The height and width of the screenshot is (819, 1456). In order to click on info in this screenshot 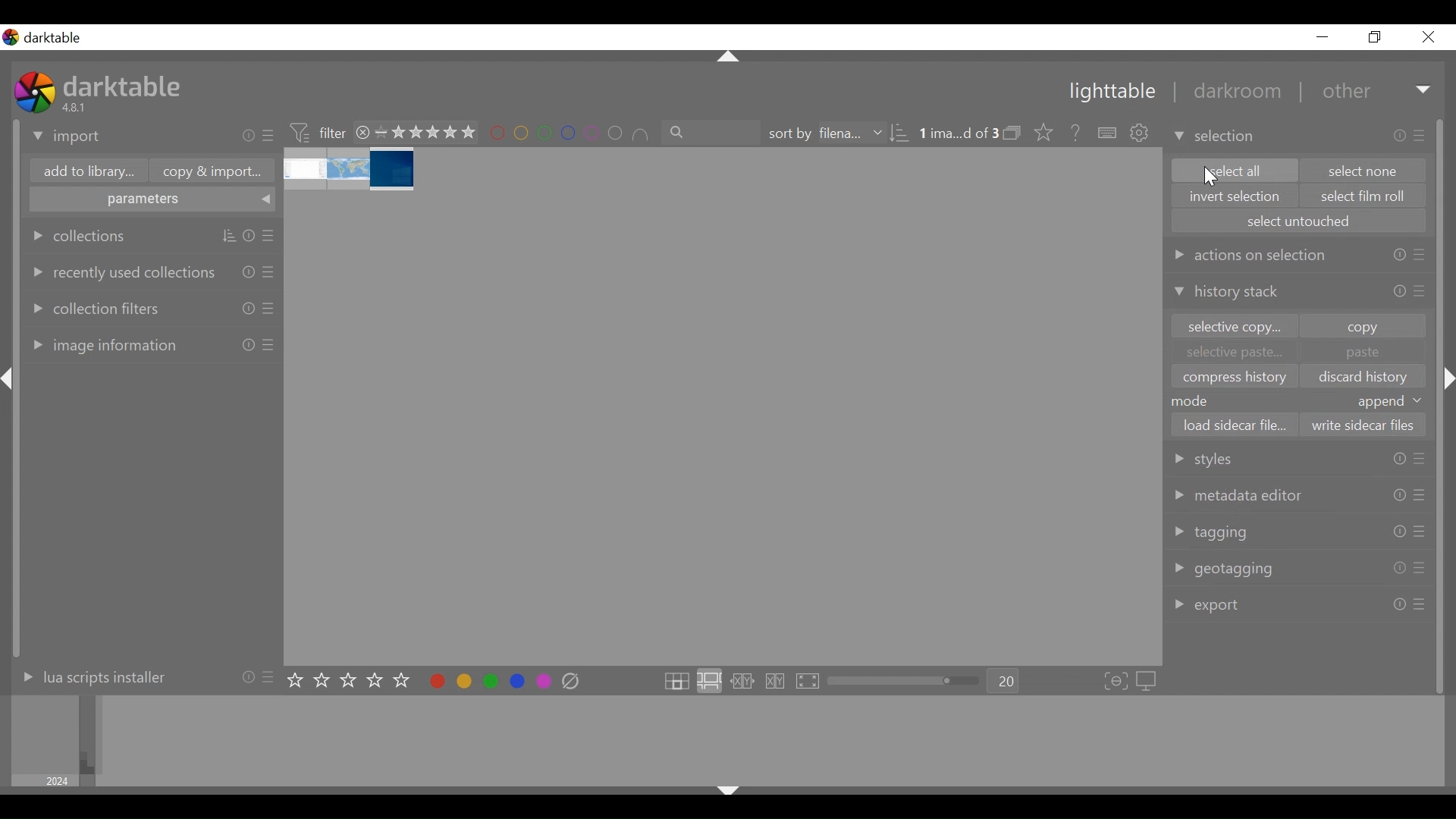, I will do `click(1399, 256)`.